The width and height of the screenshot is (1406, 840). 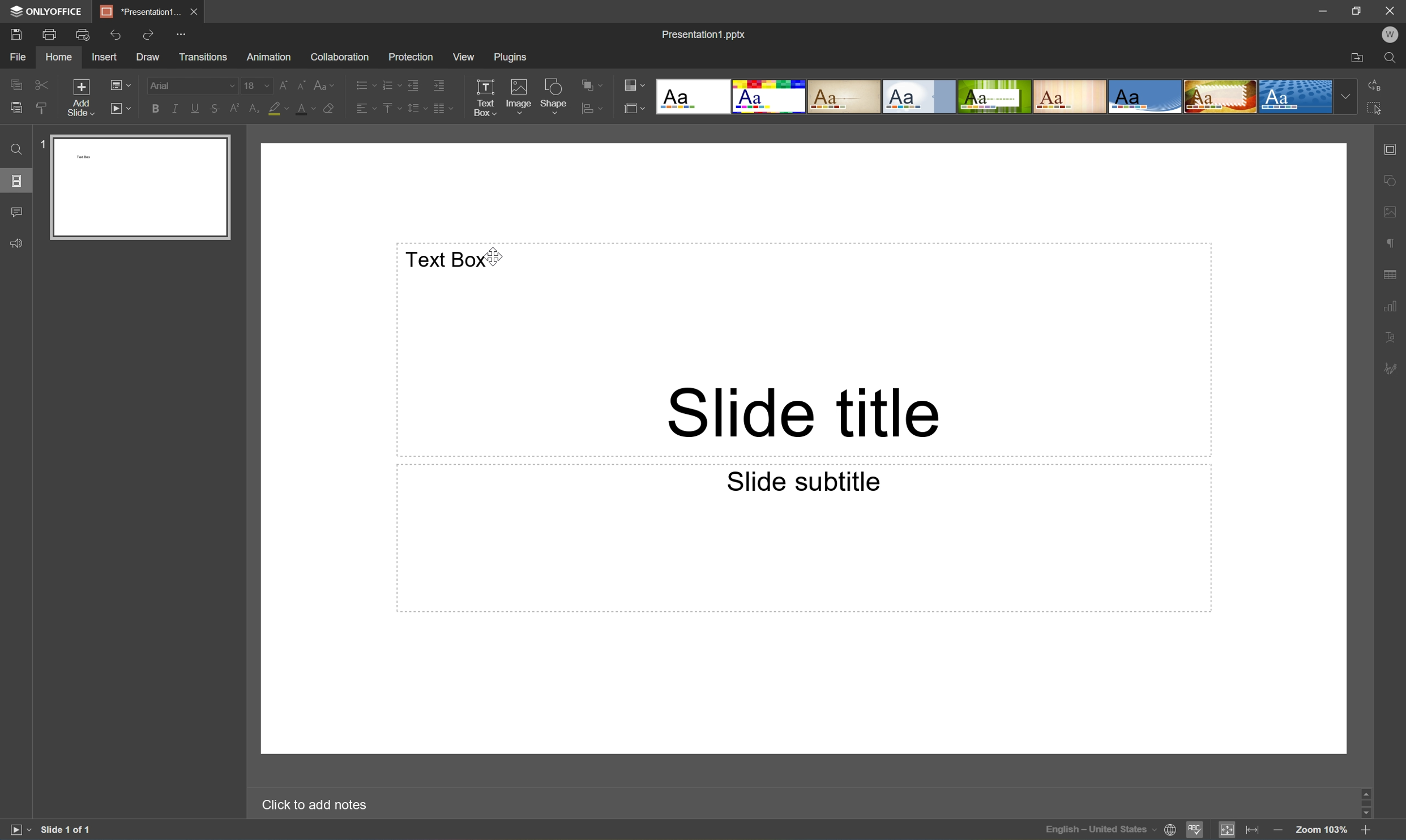 What do you see at coordinates (593, 83) in the screenshot?
I see `Arrange shape` at bounding box center [593, 83].